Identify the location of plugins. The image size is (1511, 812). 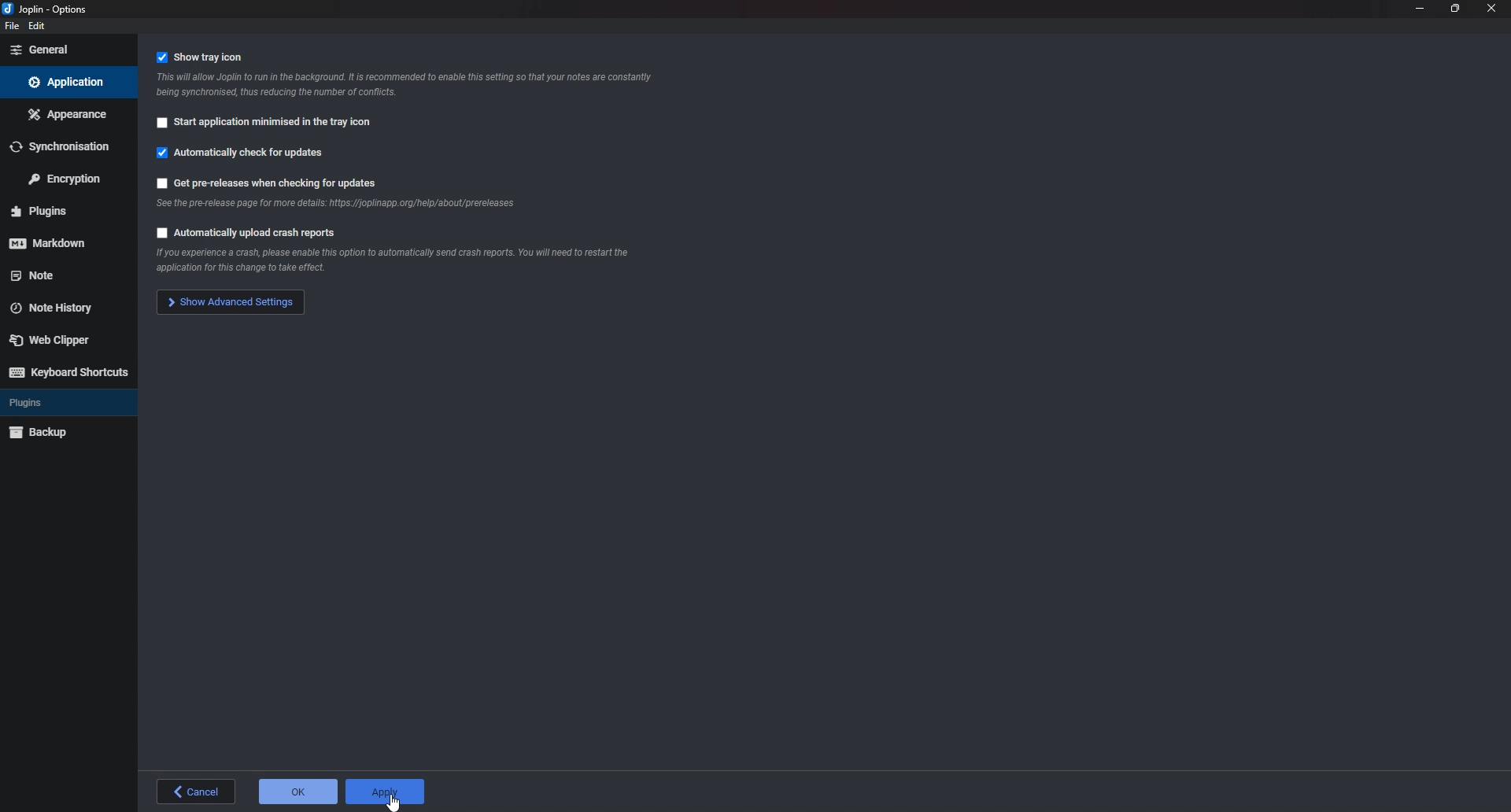
(61, 210).